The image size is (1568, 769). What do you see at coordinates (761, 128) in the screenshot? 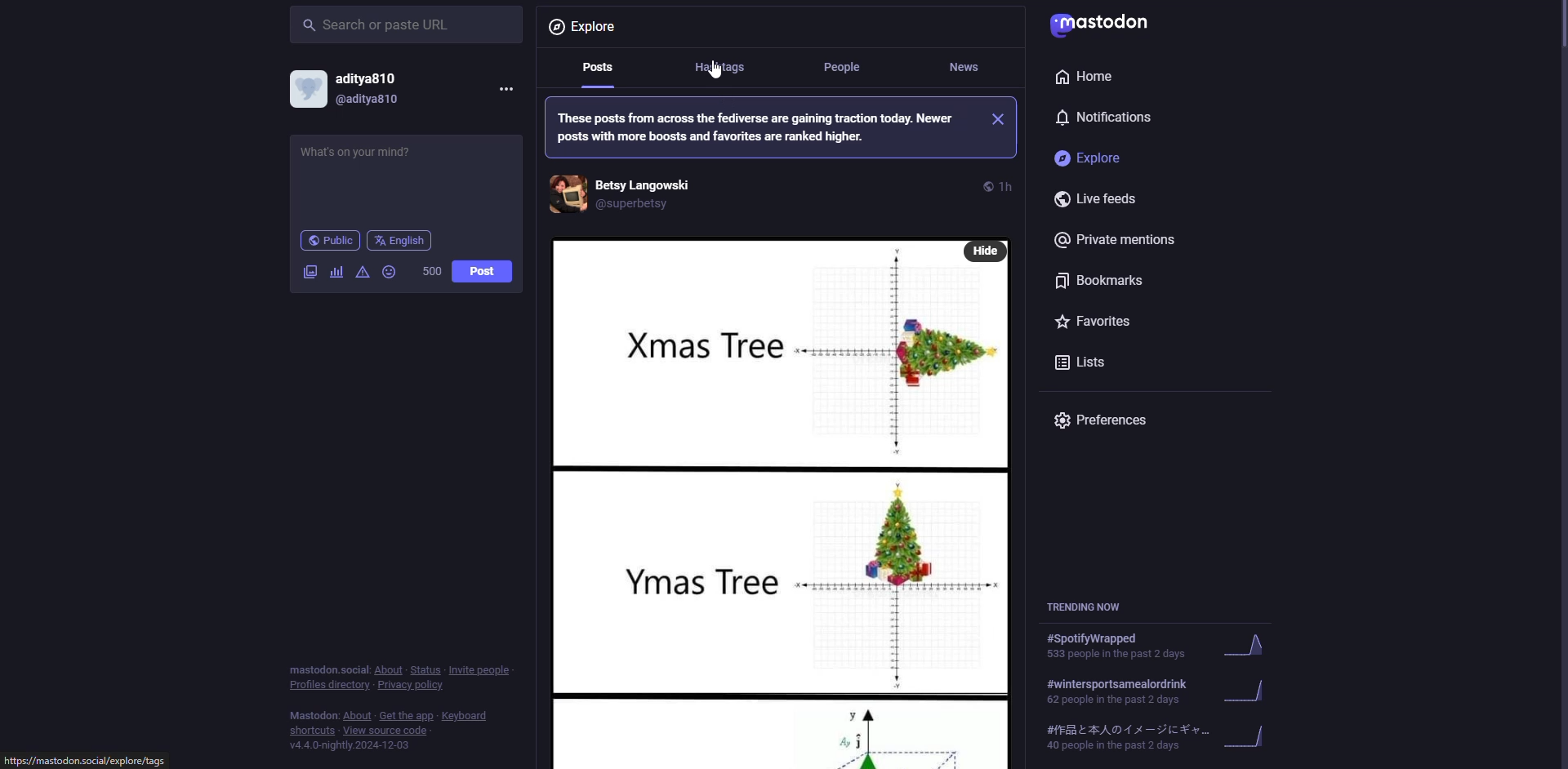
I see `info` at bounding box center [761, 128].